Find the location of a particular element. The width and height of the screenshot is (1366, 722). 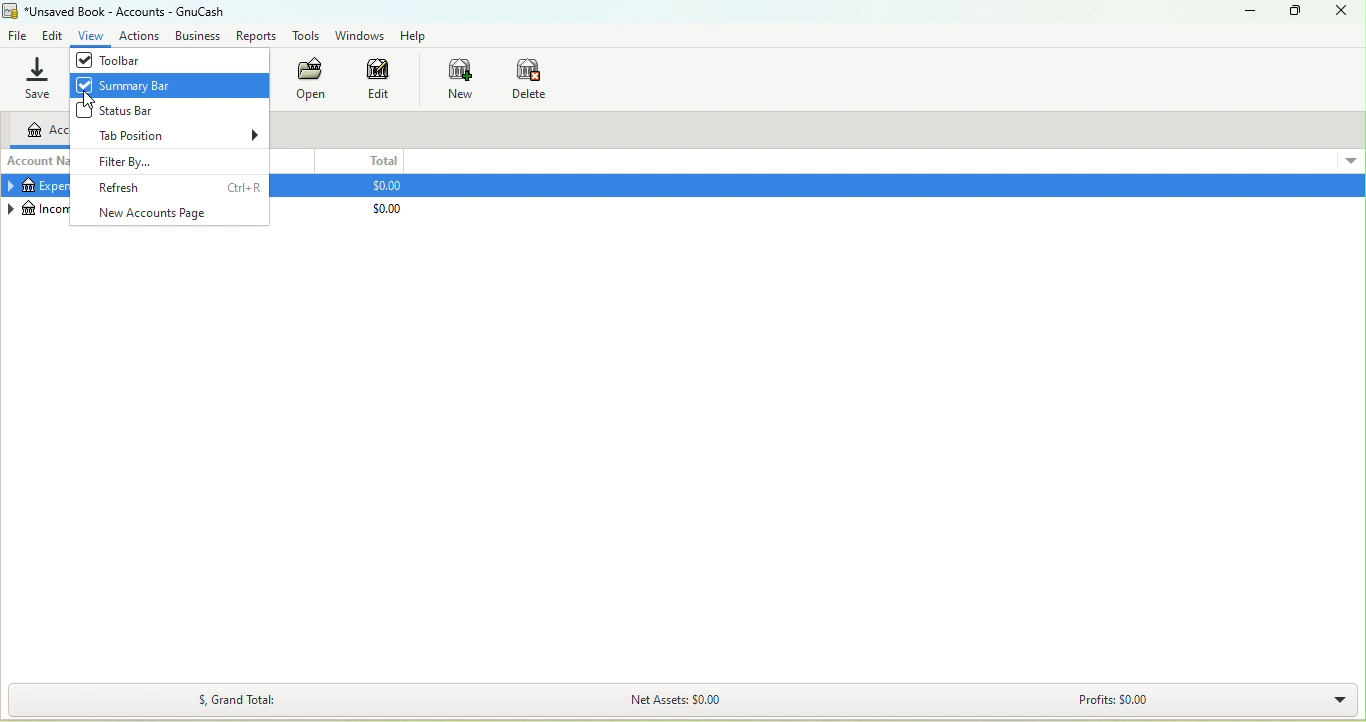

Collapse is located at coordinates (9, 186).